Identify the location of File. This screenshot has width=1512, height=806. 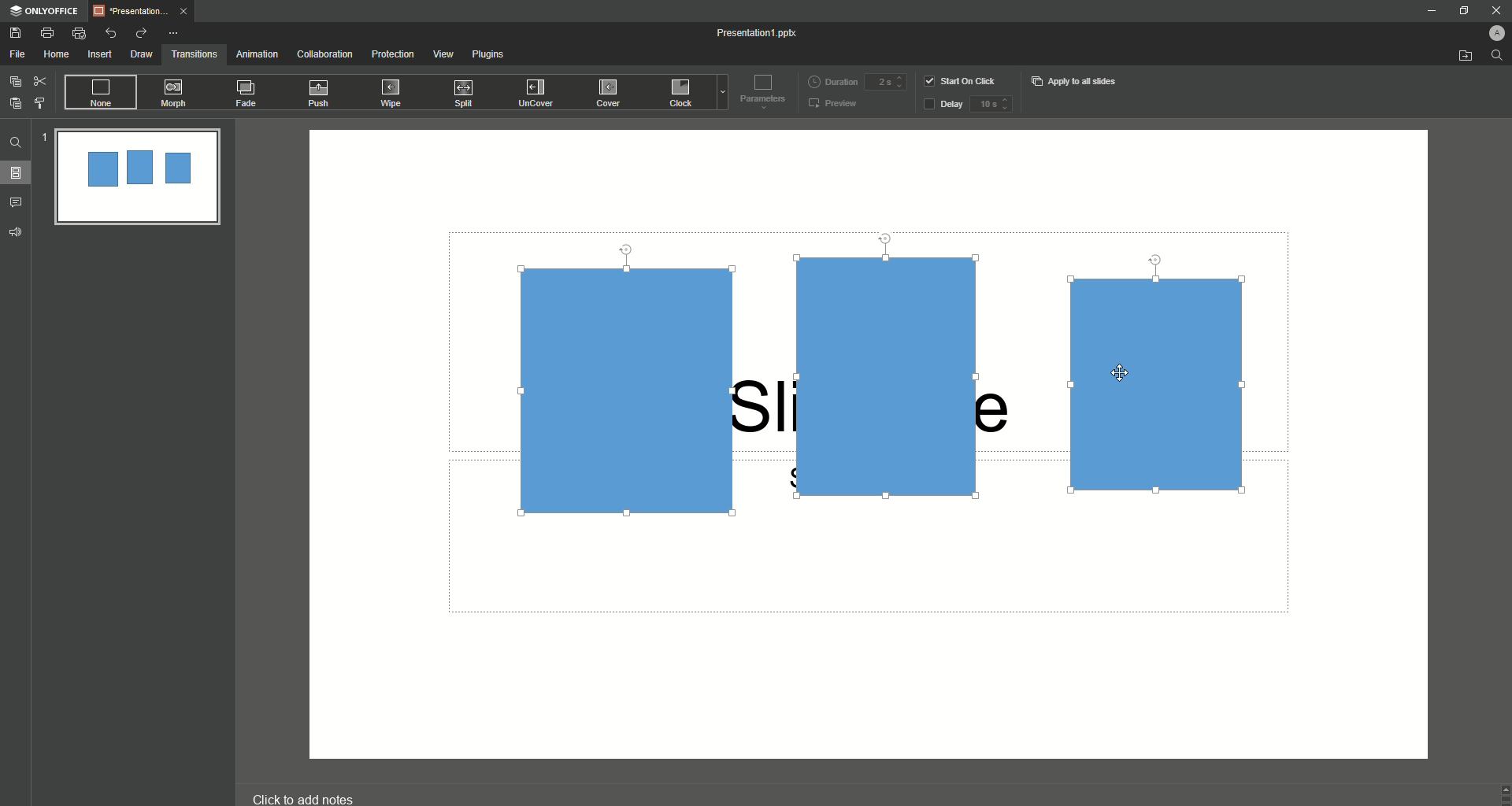
(18, 54).